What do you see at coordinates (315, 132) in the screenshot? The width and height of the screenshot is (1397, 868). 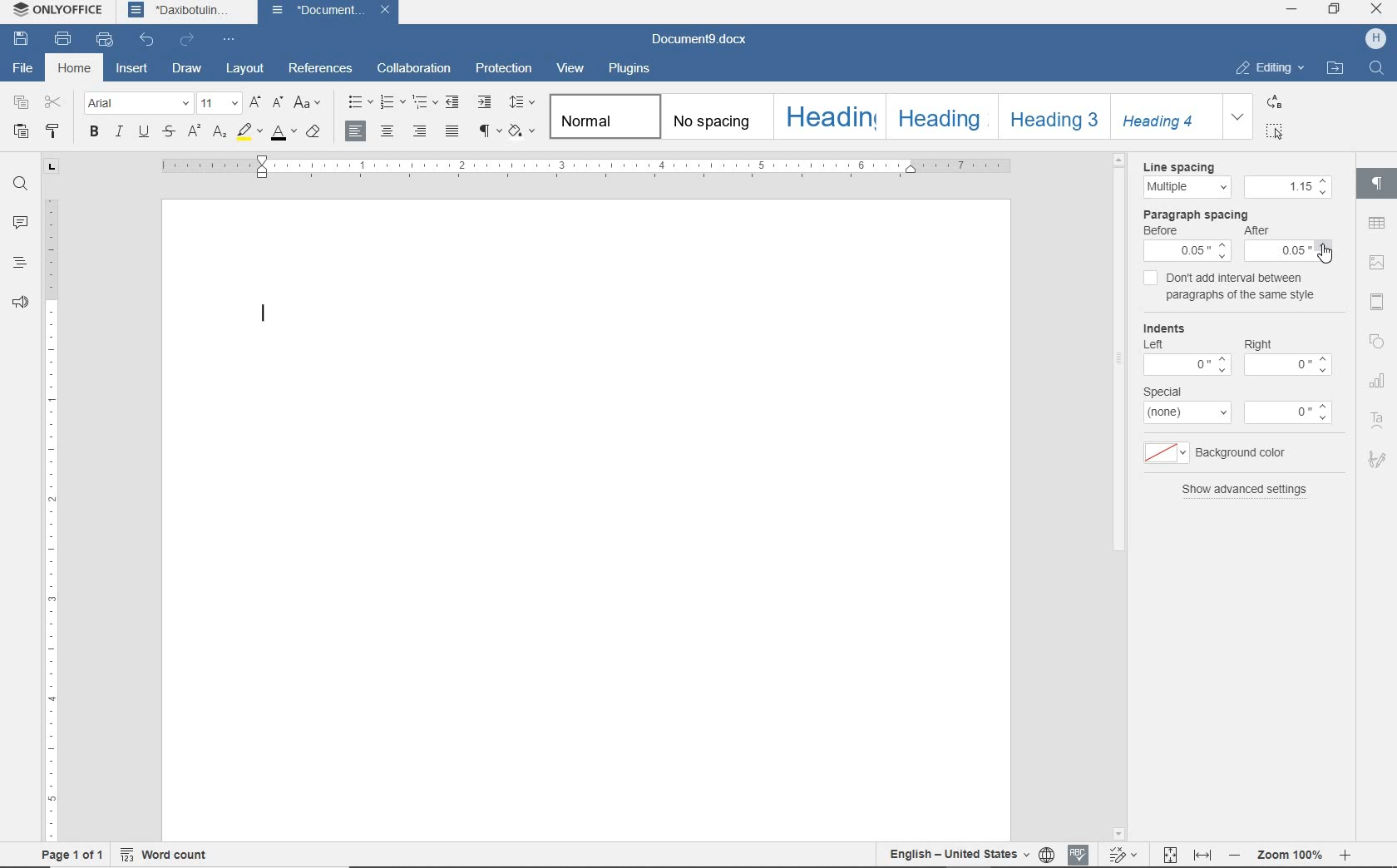 I see `clear style` at bounding box center [315, 132].